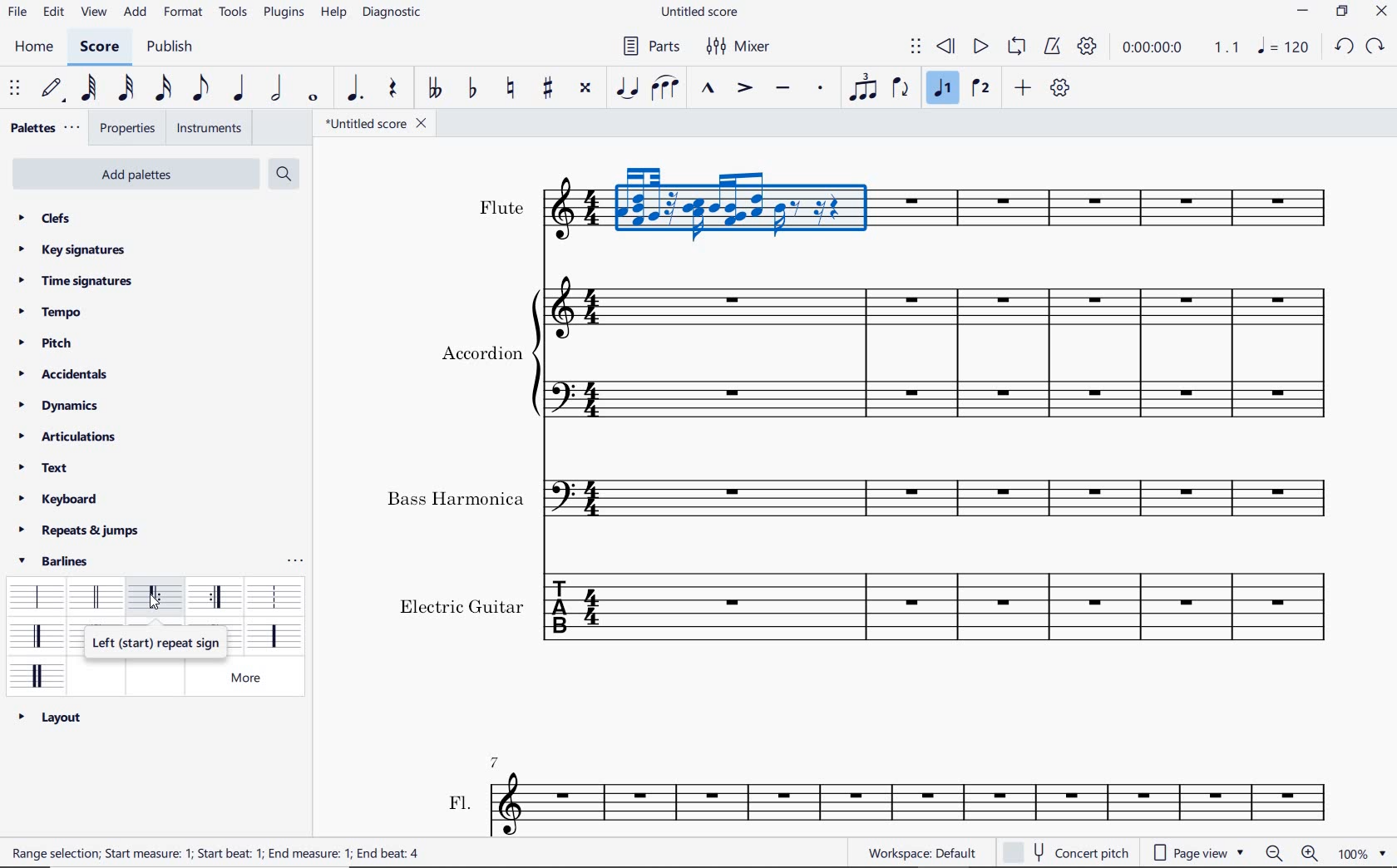 This screenshot has width=1397, height=868. What do you see at coordinates (513, 89) in the screenshot?
I see `toggle natural` at bounding box center [513, 89].